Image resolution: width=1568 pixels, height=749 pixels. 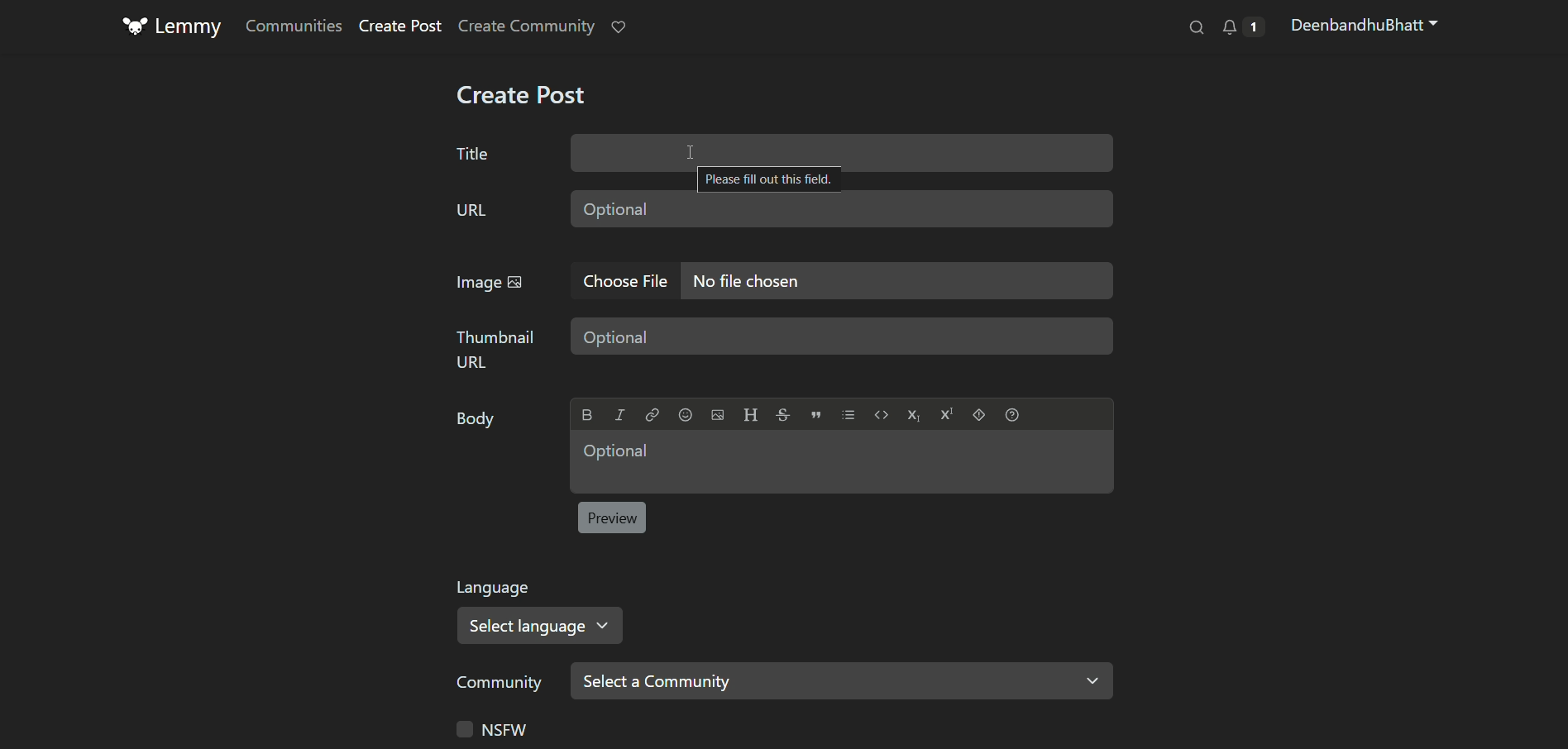 What do you see at coordinates (768, 181) in the screenshot?
I see `please fill out this field` at bounding box center [768, 181].